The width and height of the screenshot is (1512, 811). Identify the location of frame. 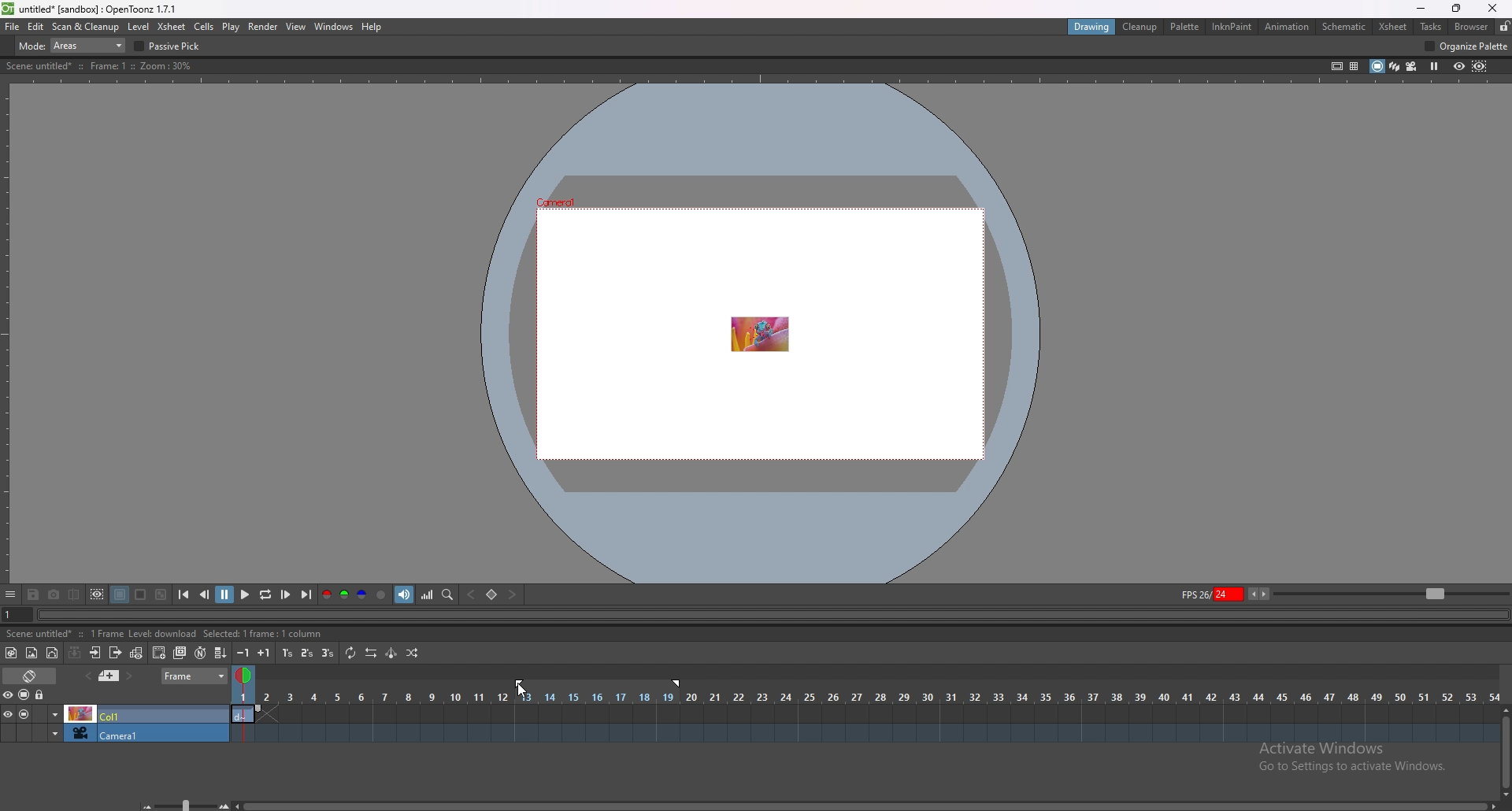
(195, 676).